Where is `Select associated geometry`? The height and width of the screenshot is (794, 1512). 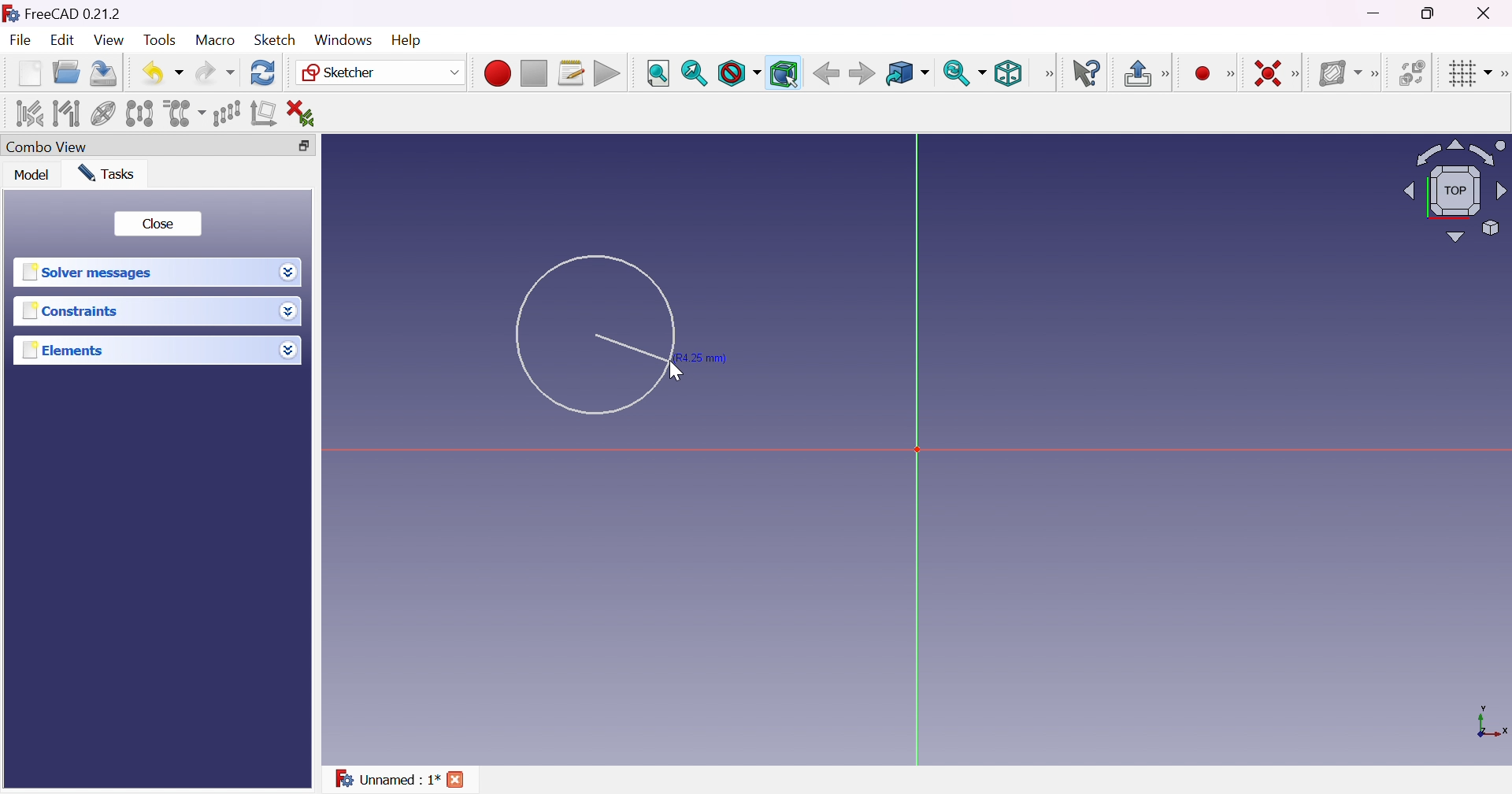 Select associated geometry is located at coordinates (67, 114).